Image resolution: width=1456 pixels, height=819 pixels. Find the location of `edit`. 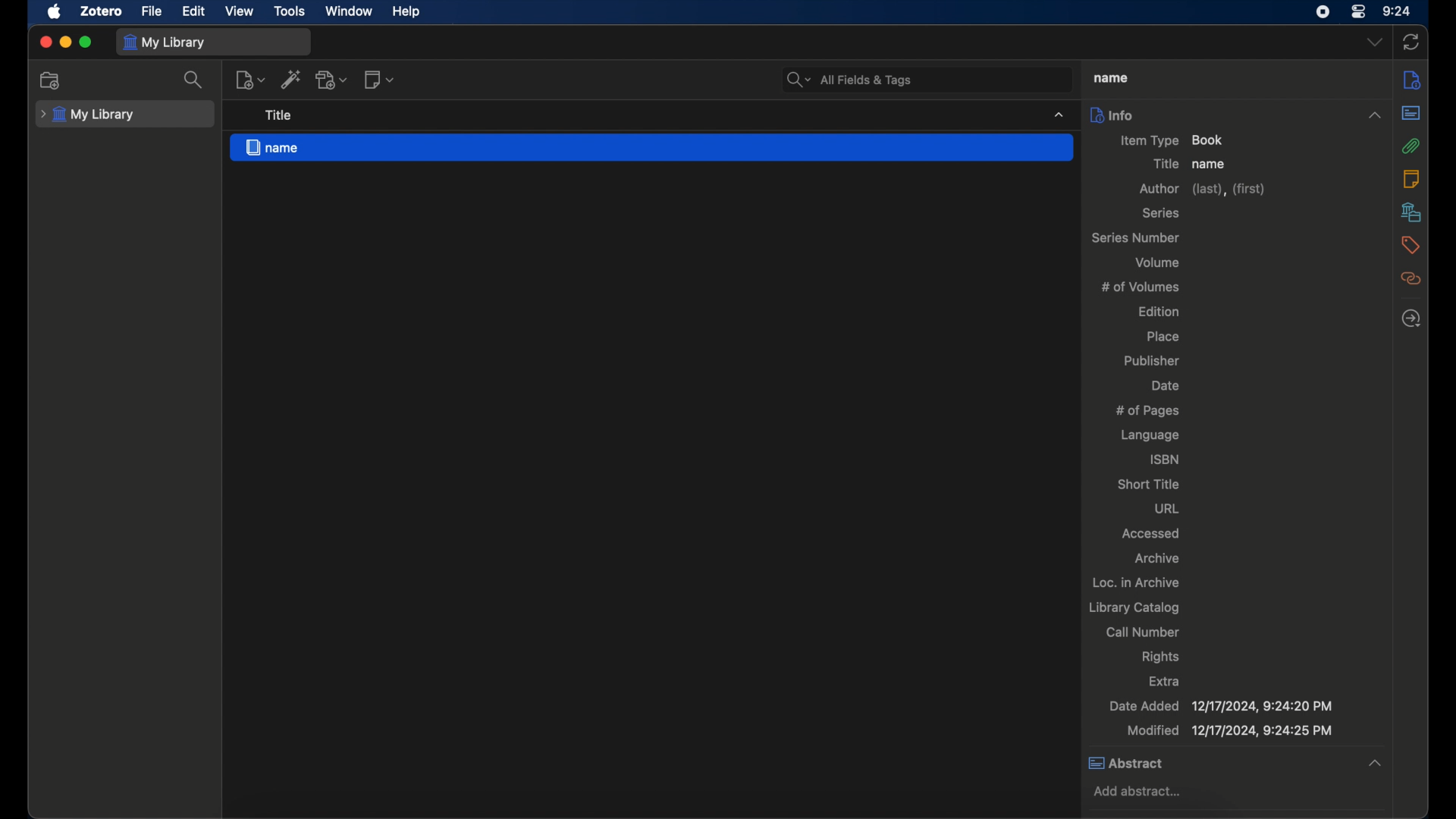

edit is located at coordinates (194, 11).